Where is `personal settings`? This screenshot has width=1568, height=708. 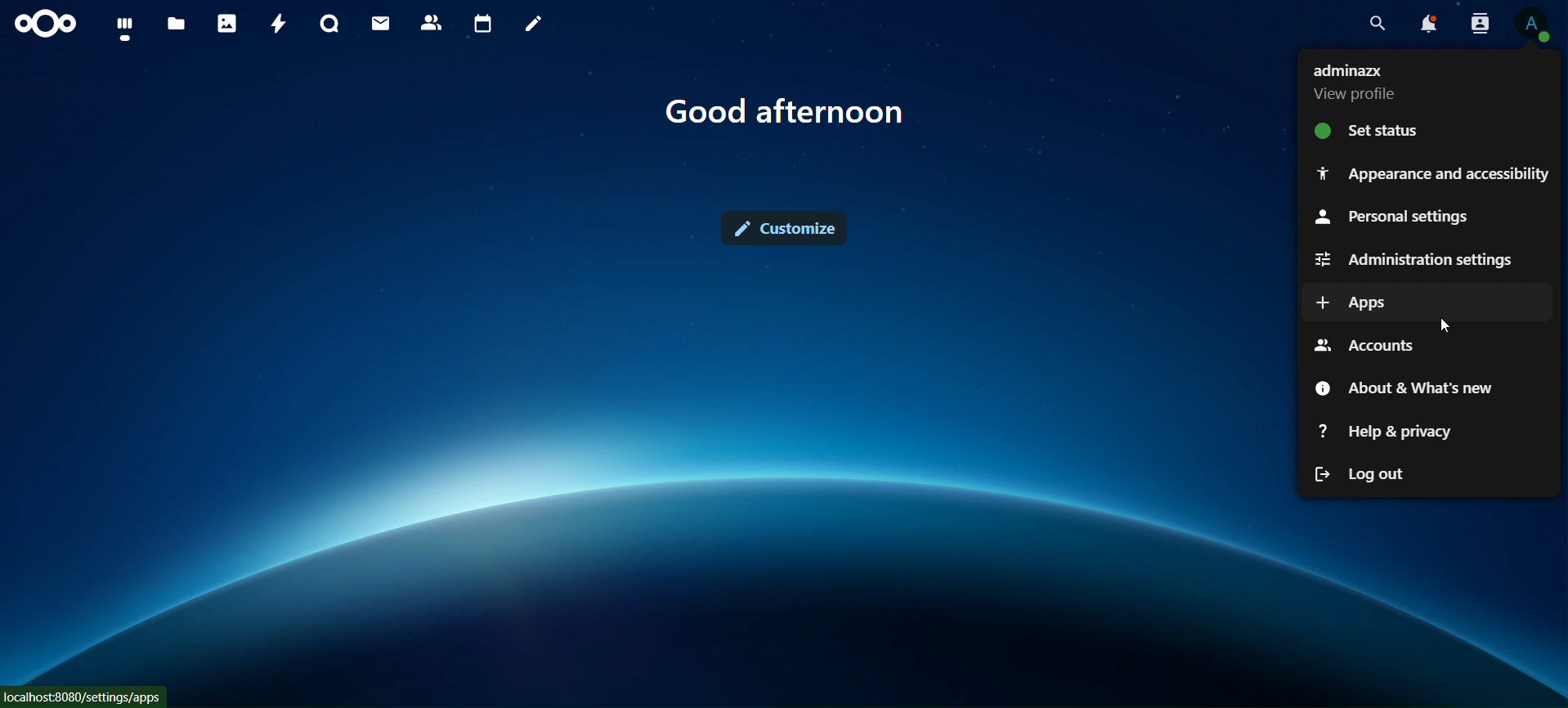
personal settings is located at coordinates (1392, 218).